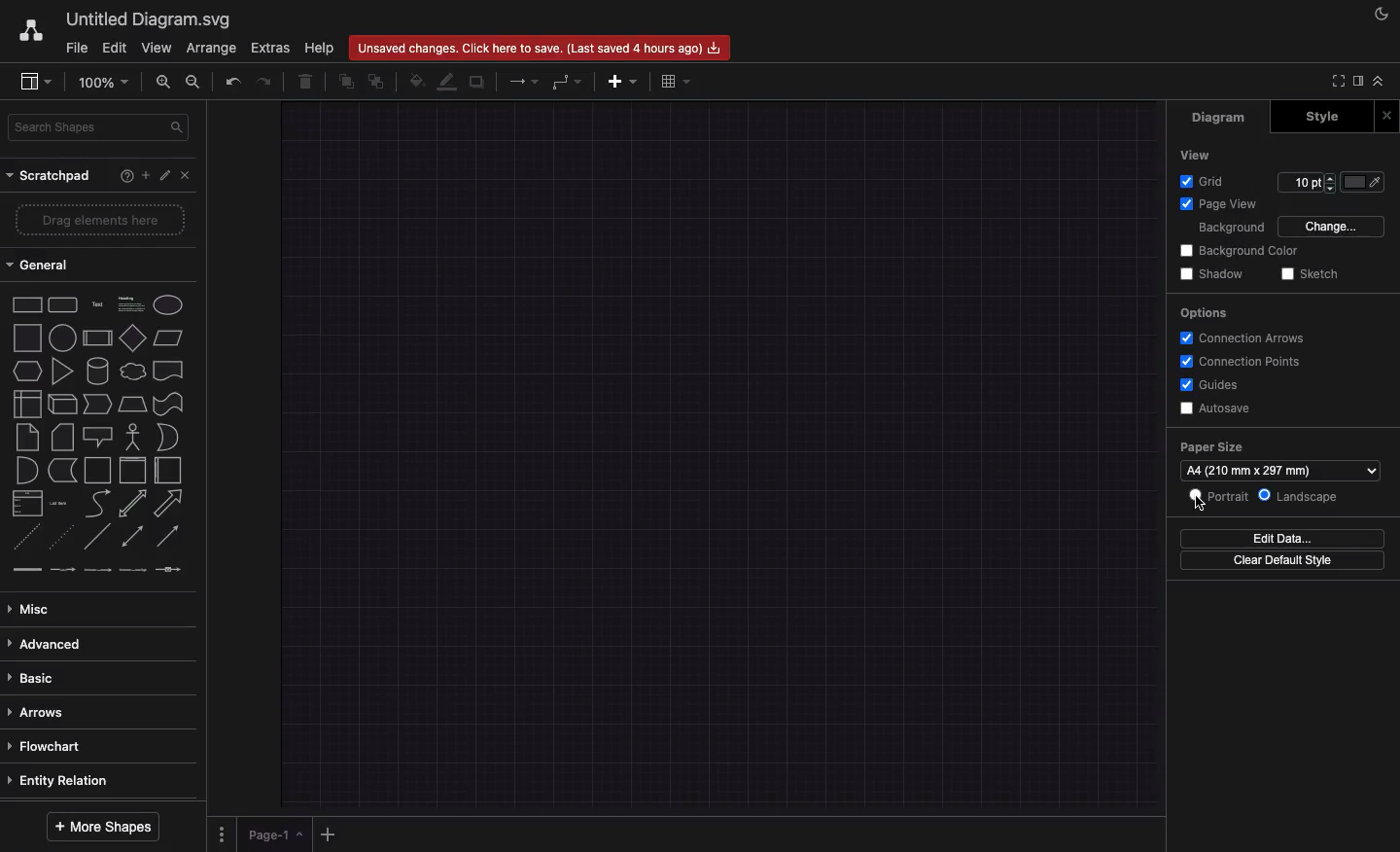  Describe the element at coordinates (539, 46) in the screenshot. I see `Unsaved changes` at that location.